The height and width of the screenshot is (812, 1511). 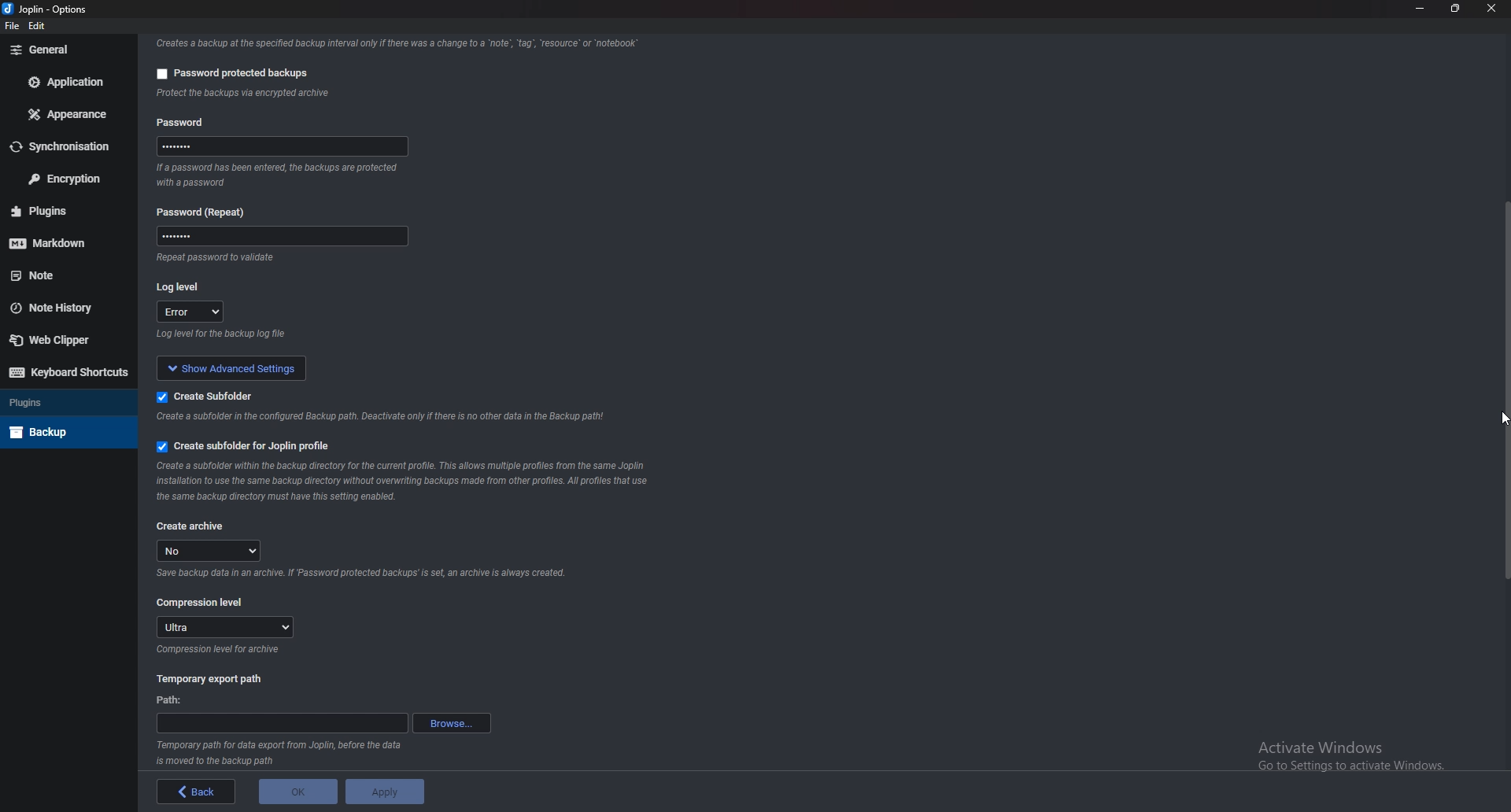 What do you see at coordinates (172, 699) in the screenshot?
I see `path` at bounding box center [172, 699].